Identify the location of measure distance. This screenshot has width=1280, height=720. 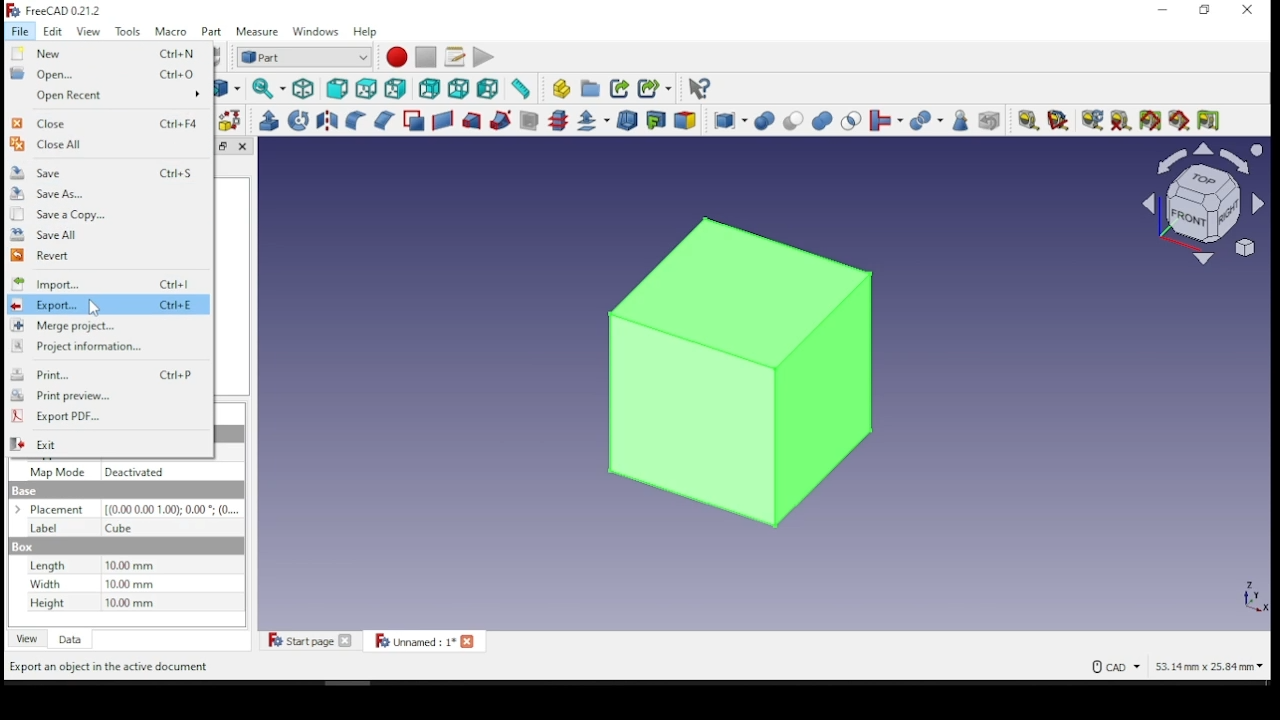
(520, 89).